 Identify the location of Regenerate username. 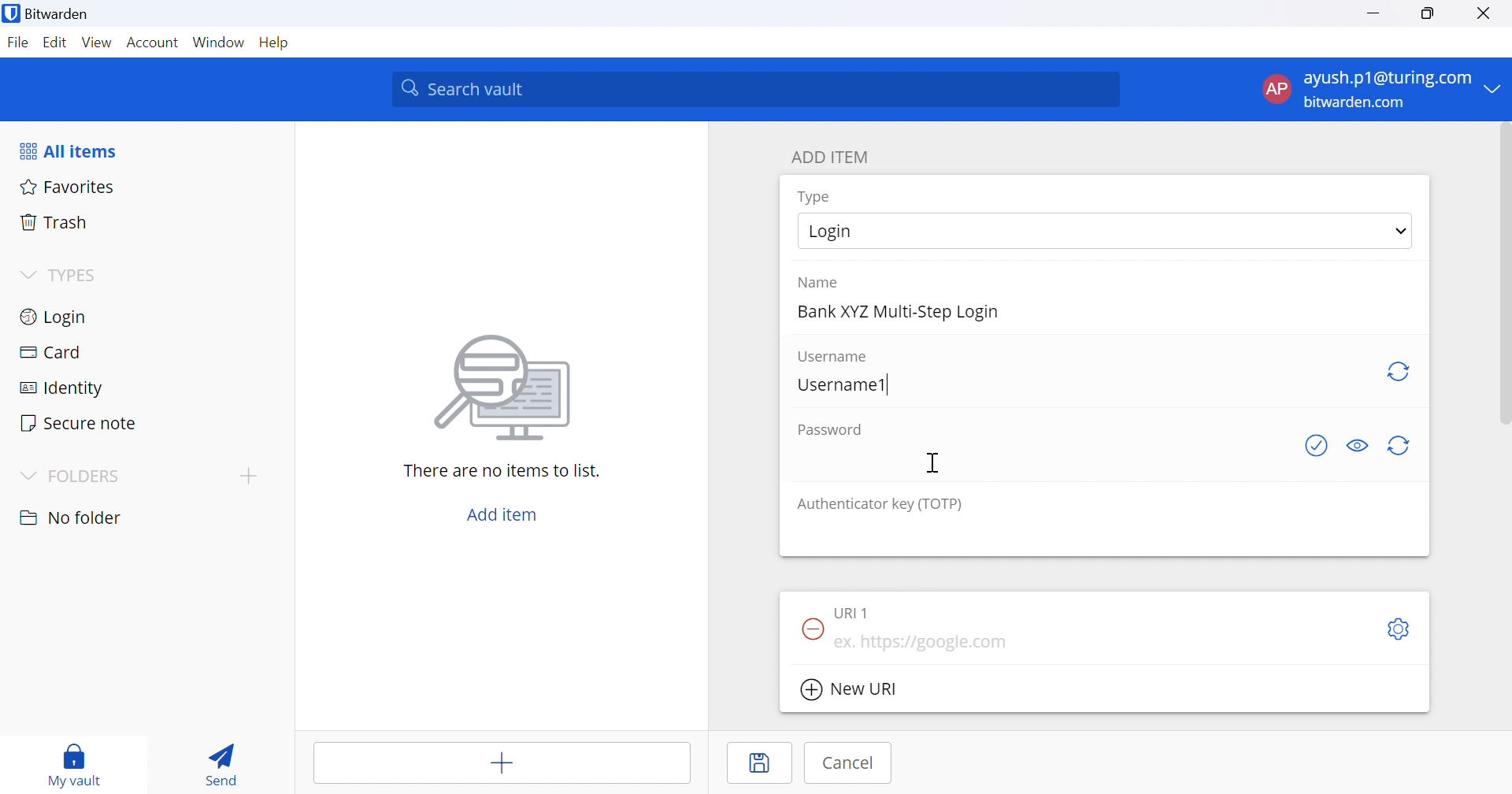
(1401, 374).